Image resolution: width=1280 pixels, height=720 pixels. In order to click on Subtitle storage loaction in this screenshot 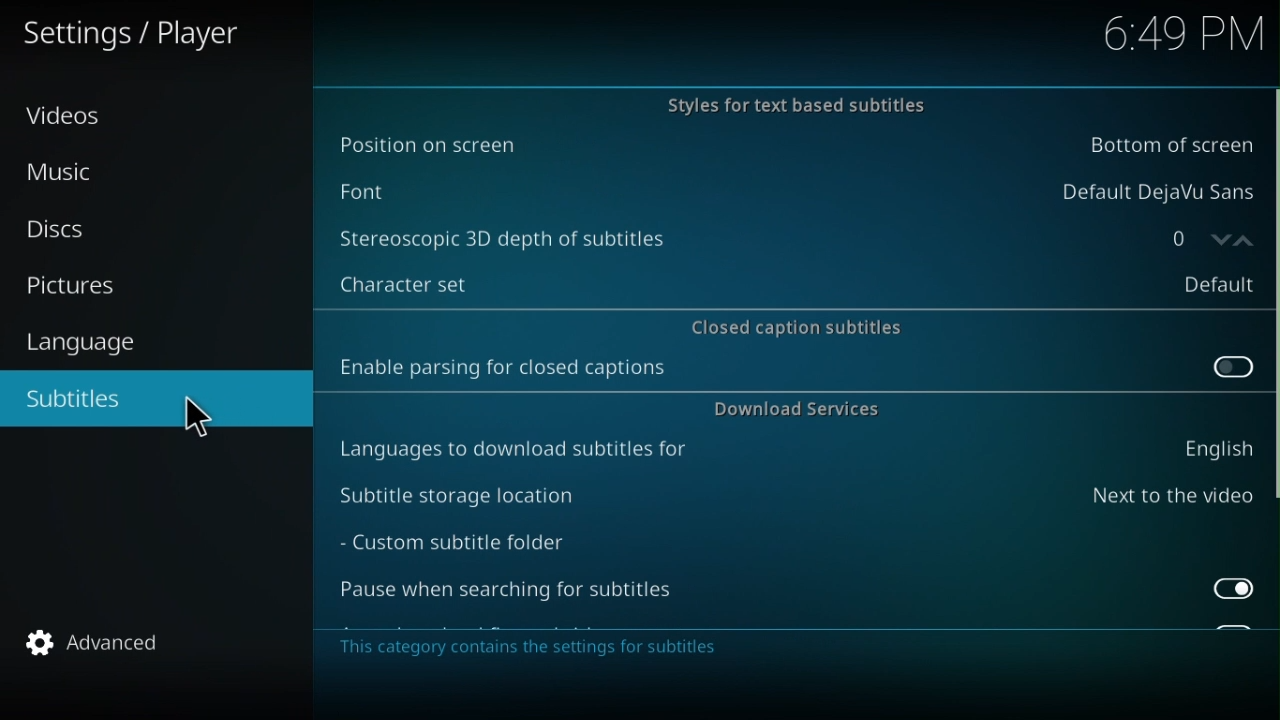, I will do `click(794, 496)`.